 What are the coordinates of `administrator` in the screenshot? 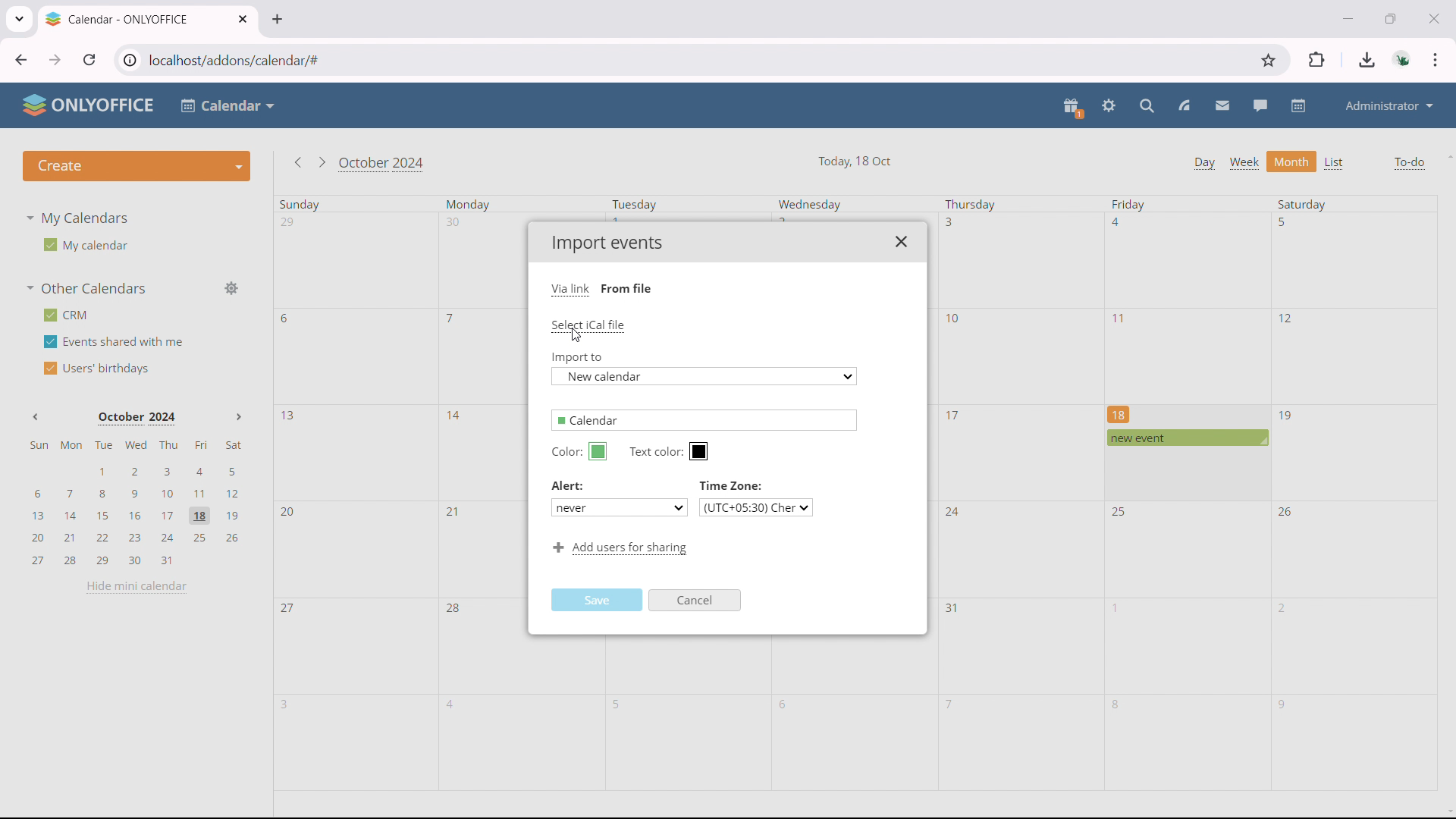 It's located at (1388, 105).